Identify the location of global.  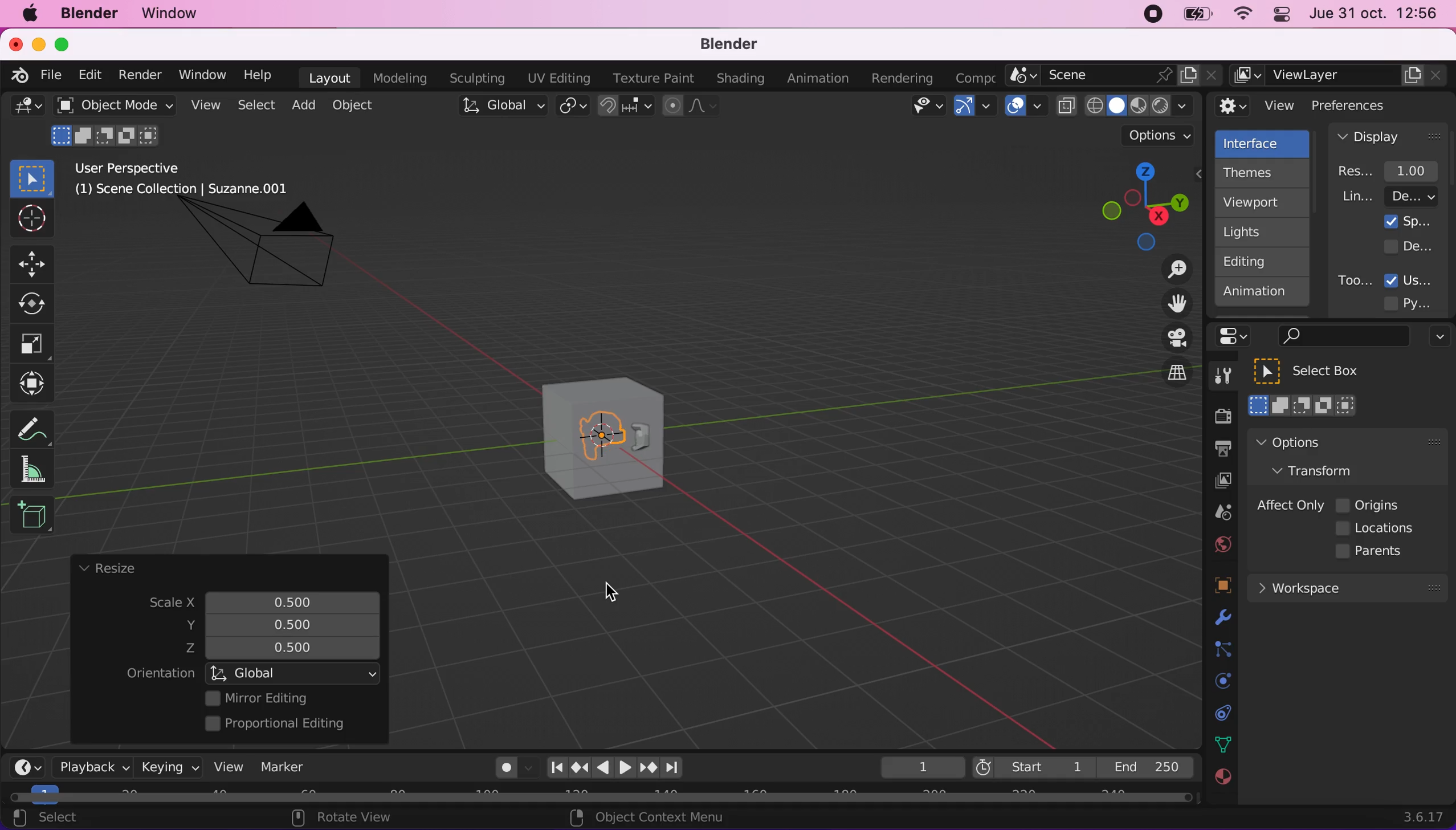
(500, 108).